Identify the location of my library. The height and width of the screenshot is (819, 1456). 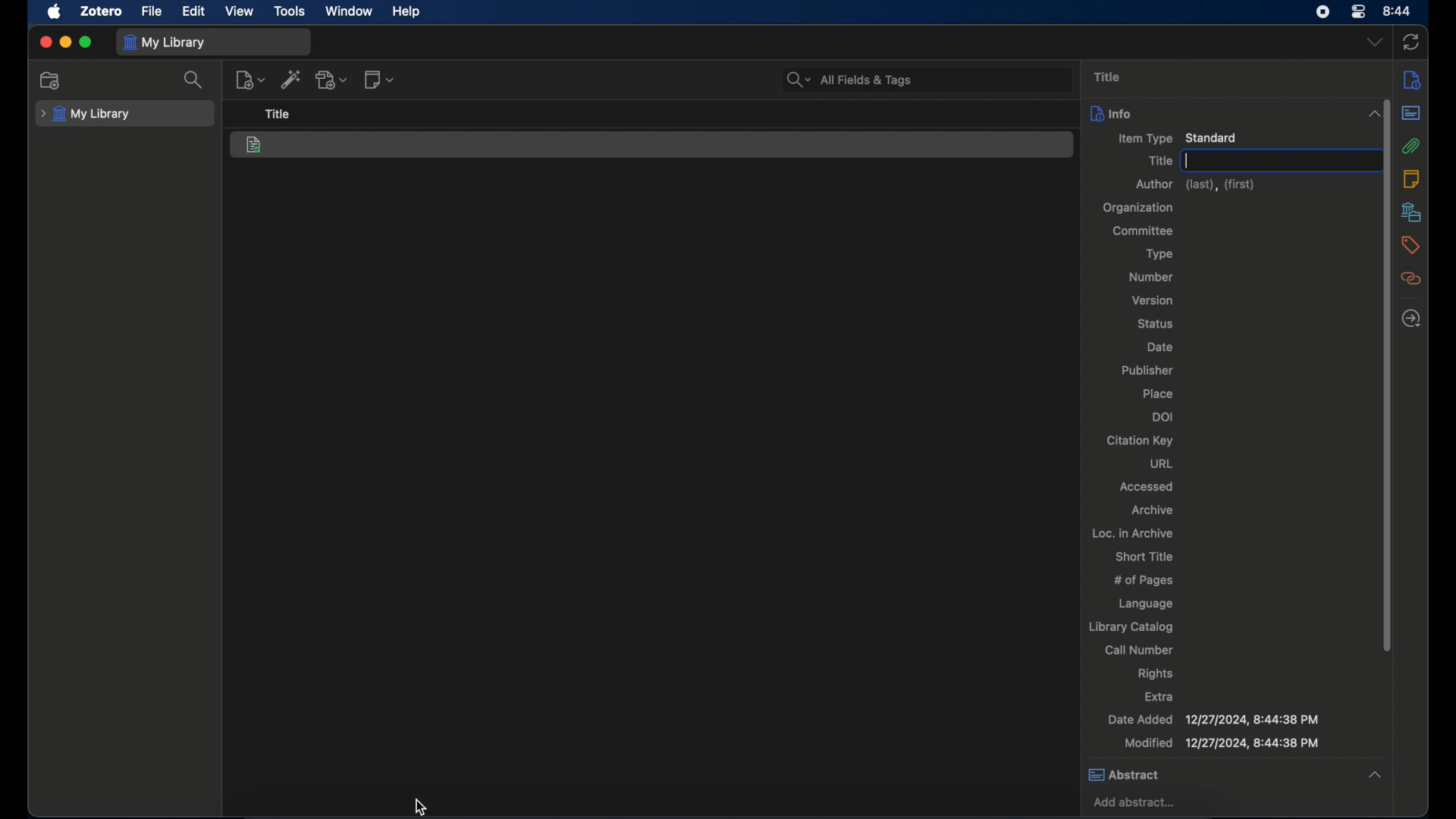
(86, 115).